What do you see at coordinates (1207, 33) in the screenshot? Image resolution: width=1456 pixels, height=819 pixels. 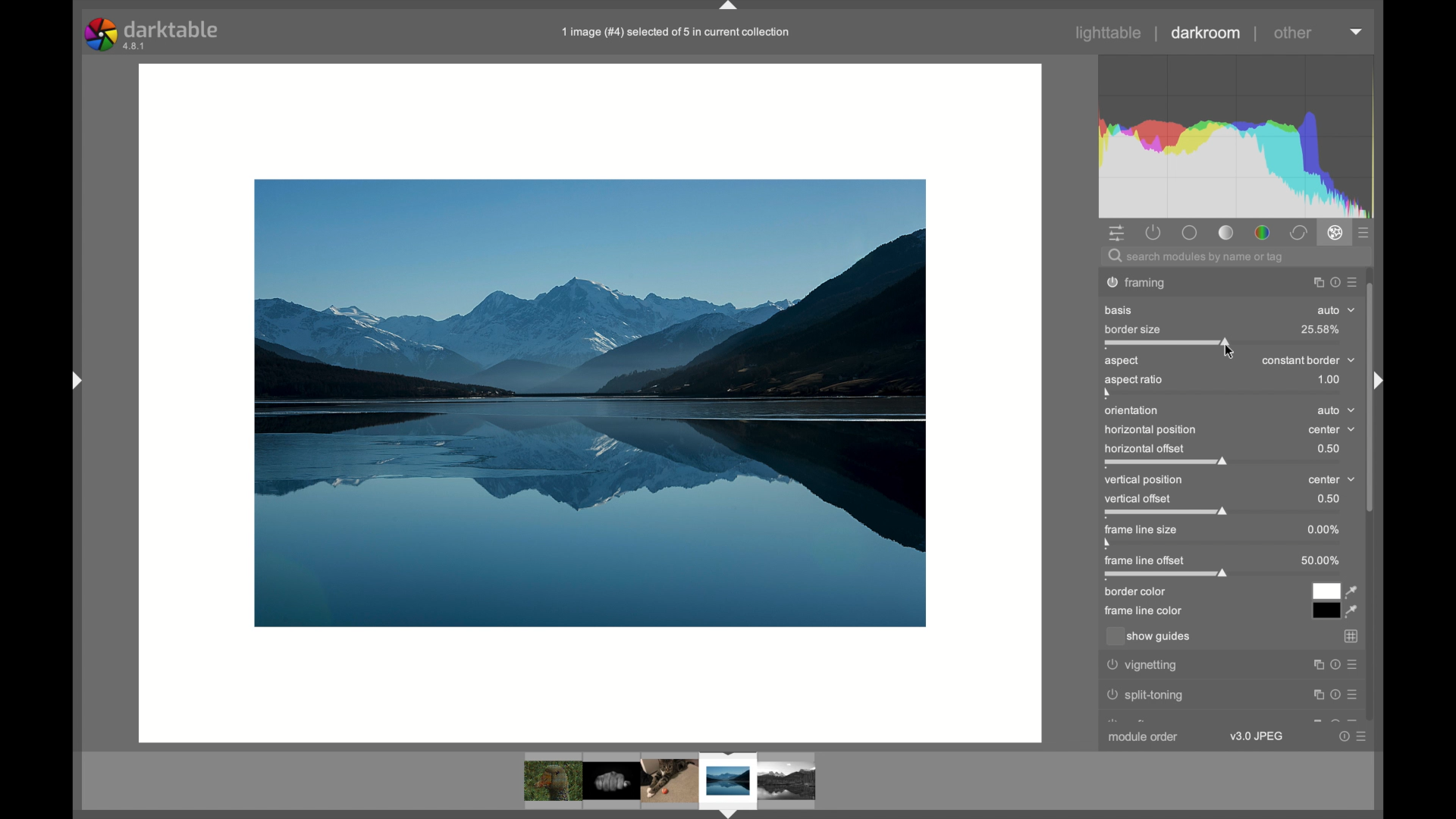 I see `darkroom` at bounding box center [1207, 33].